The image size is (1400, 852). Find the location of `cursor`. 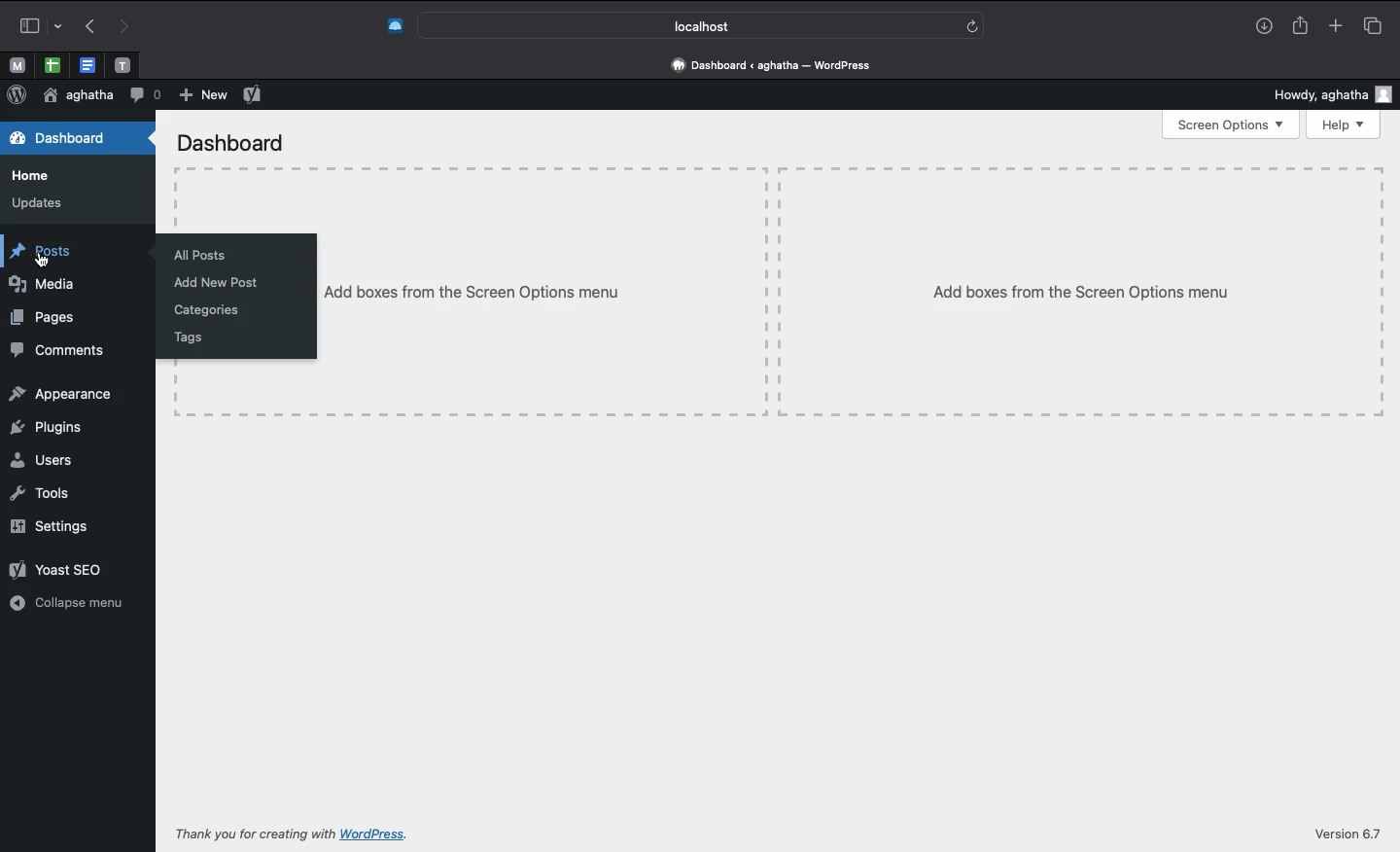

cursor is located at coordinates (44, 265).